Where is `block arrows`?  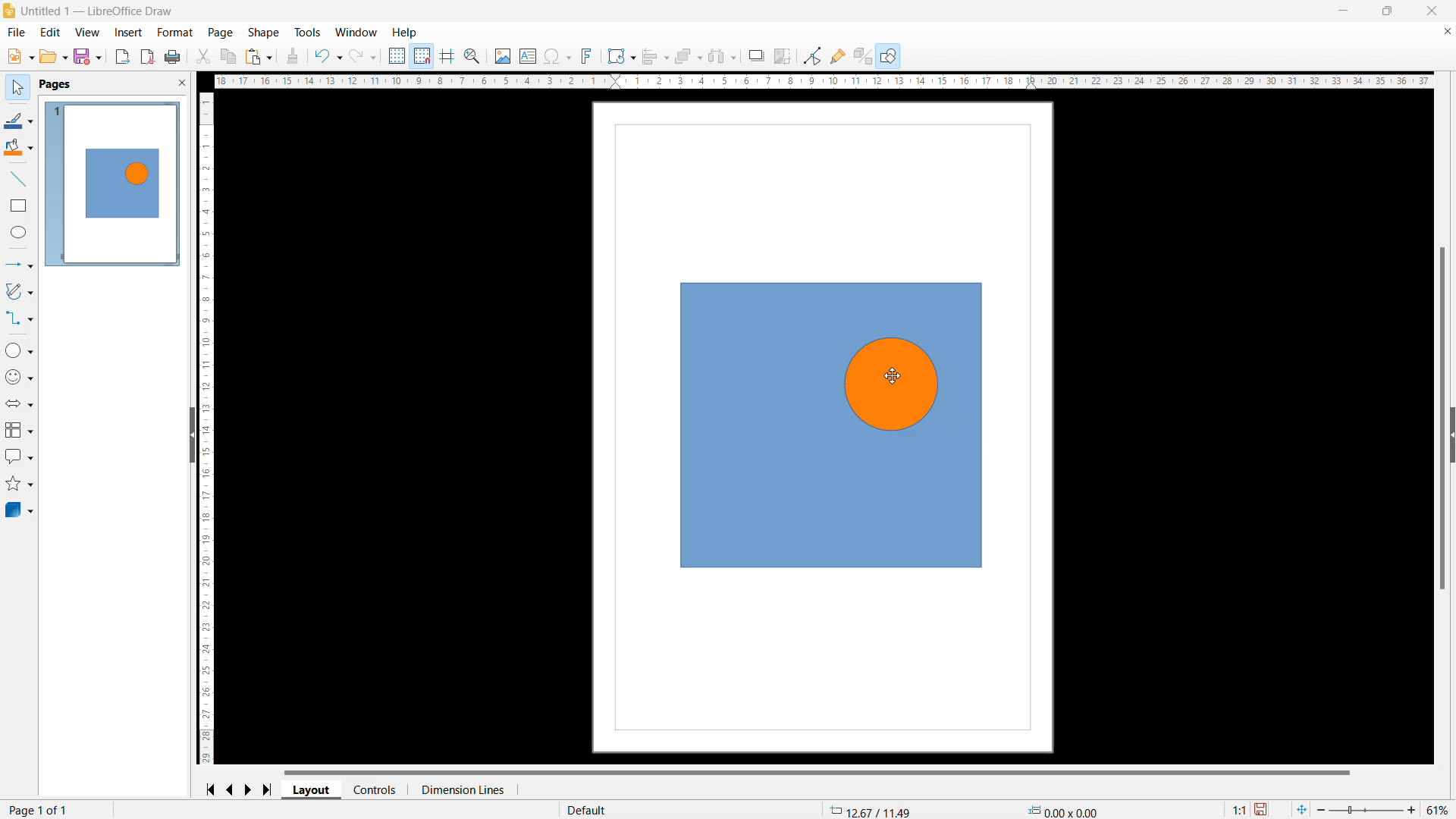
block arrows is located at coordinates (20, 404).